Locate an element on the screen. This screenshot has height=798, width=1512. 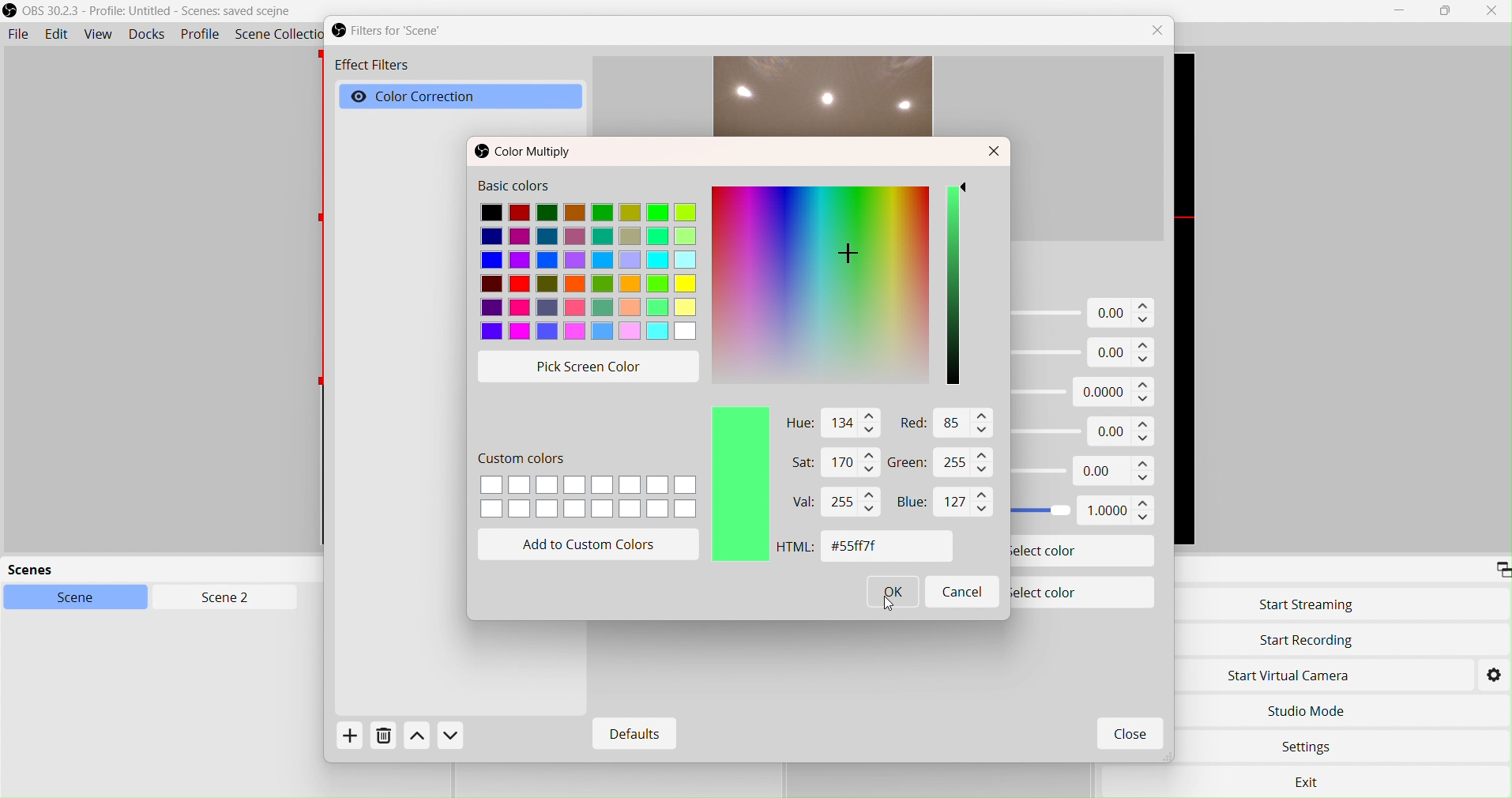
cursor is located at coordinates (889, 612).